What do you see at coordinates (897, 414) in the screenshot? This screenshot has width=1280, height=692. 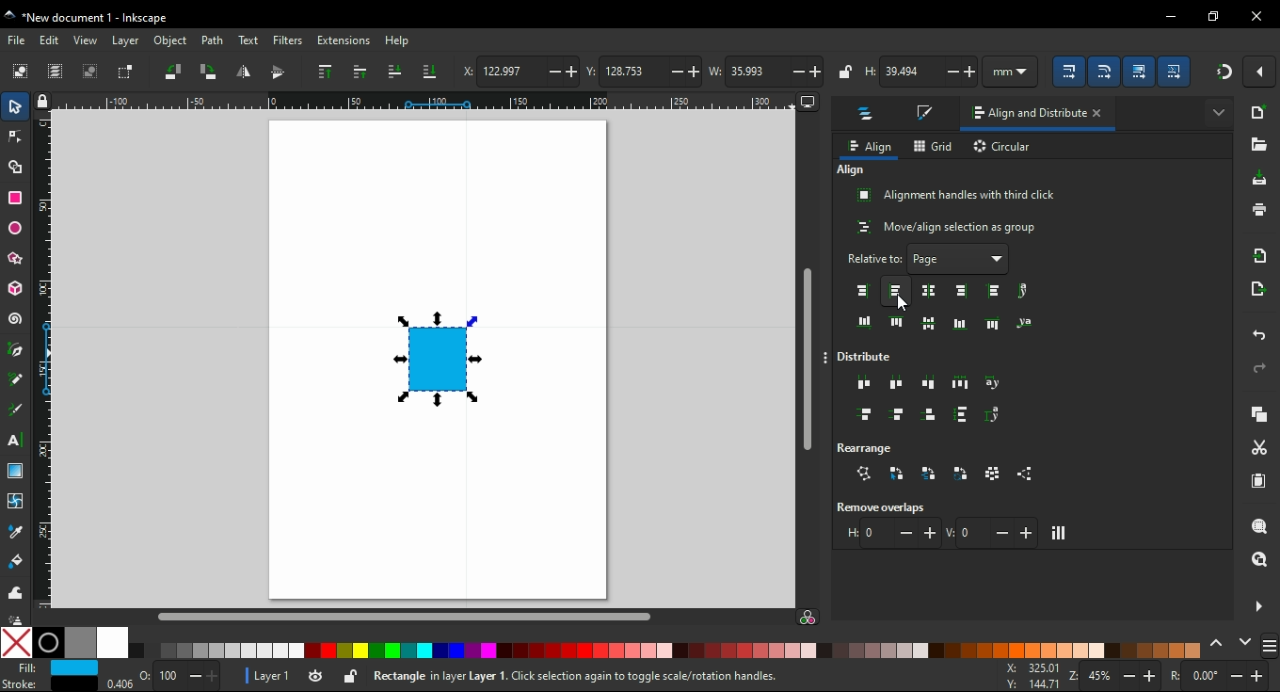 I see `distribute vertically with even spacing between centers` at bounding box center [897, 414].